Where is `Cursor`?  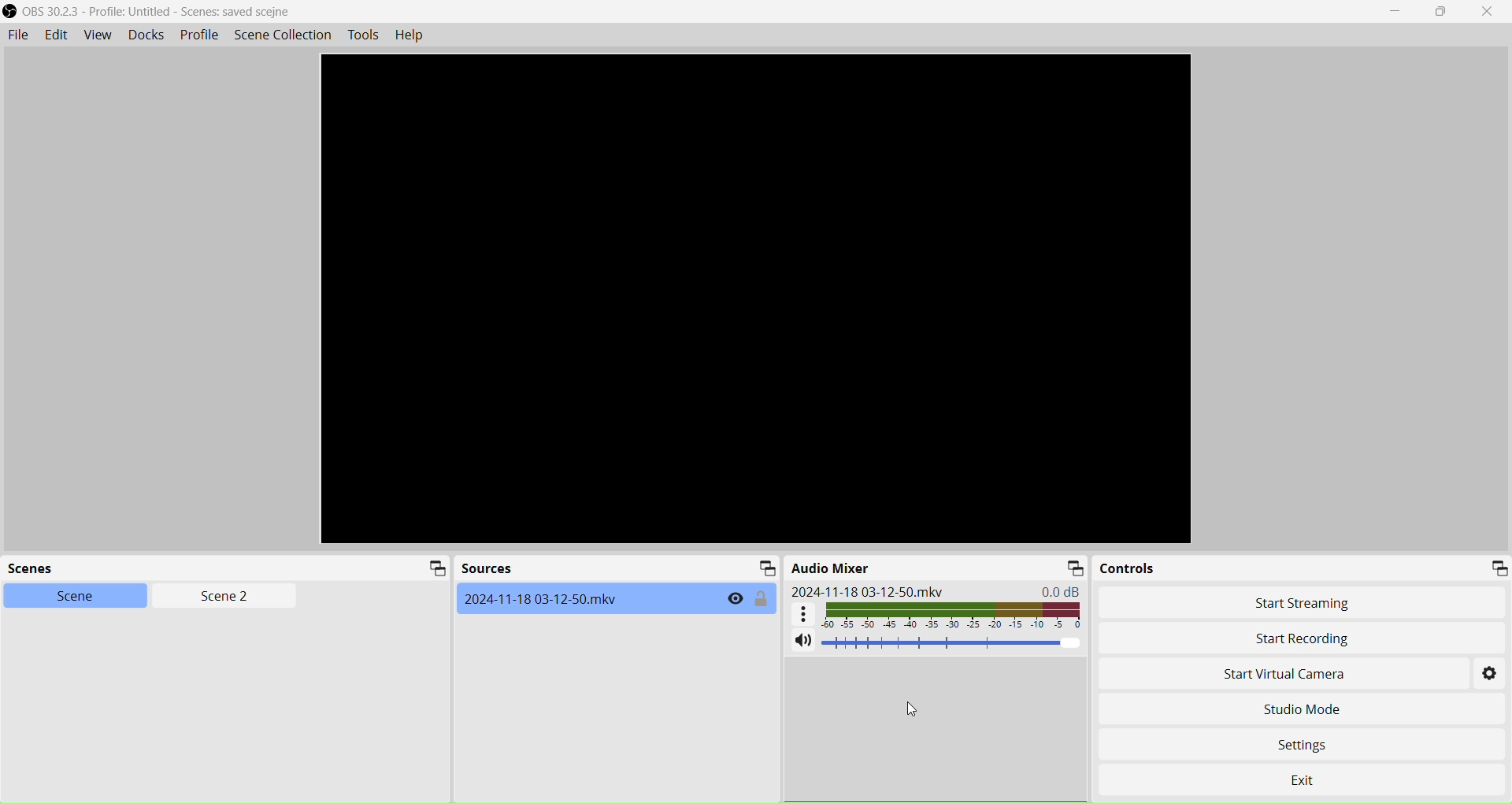 Cursor is located at coordinates (912, 709).